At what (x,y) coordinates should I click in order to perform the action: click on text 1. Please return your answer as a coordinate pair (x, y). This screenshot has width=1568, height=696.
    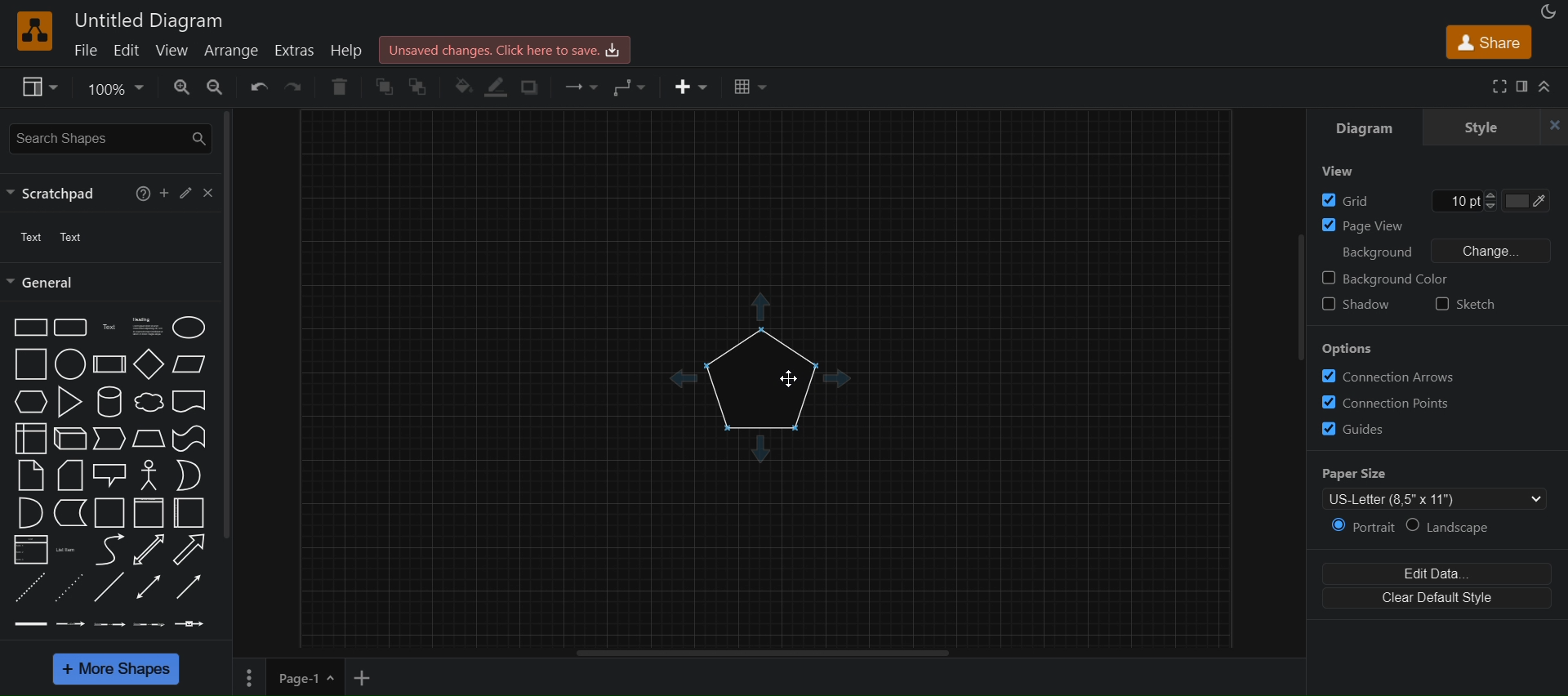
    Looking at the image, I should click on (33, 237).